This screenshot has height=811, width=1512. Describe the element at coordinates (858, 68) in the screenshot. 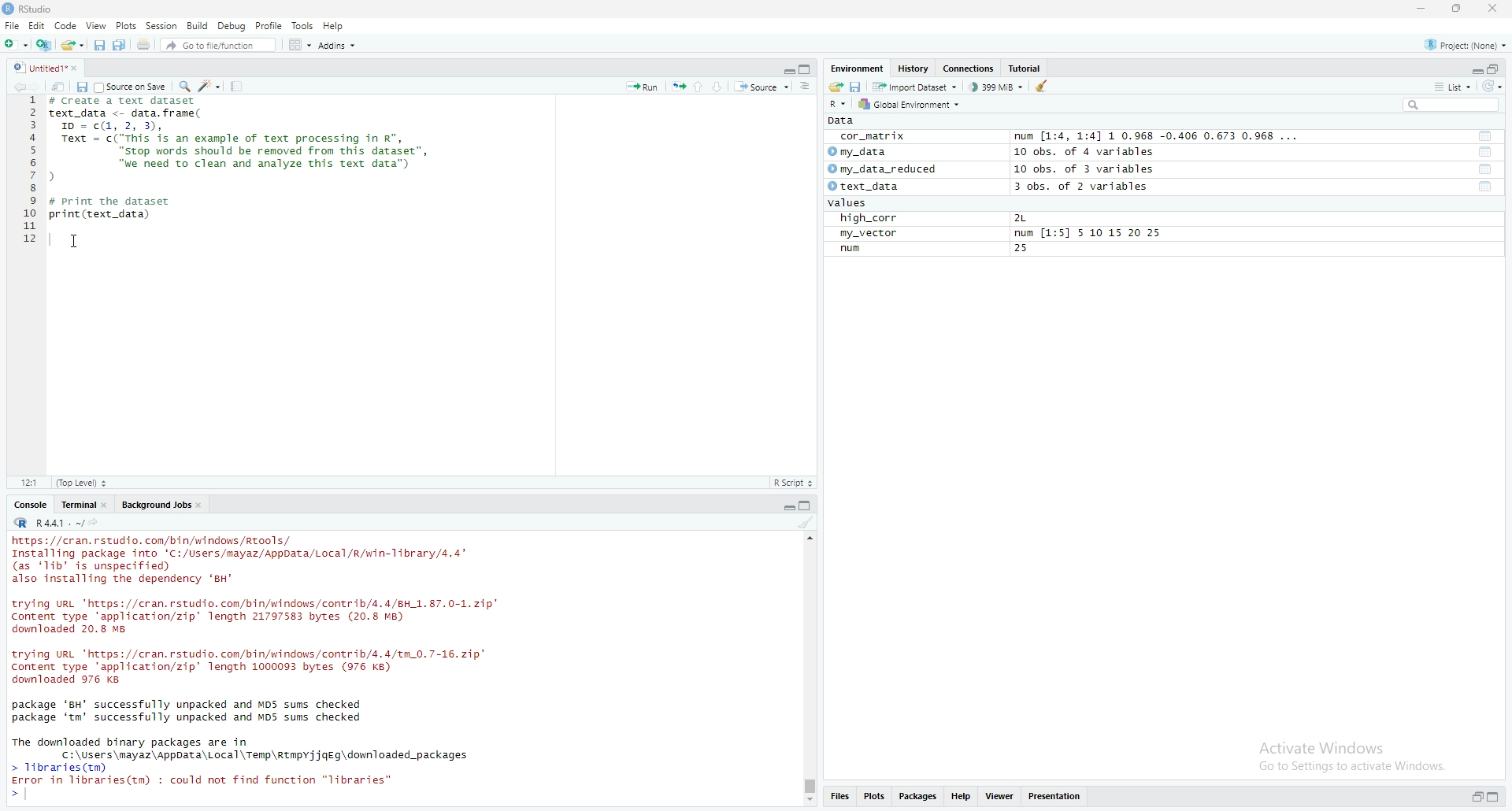

I see `Environment` at that location.